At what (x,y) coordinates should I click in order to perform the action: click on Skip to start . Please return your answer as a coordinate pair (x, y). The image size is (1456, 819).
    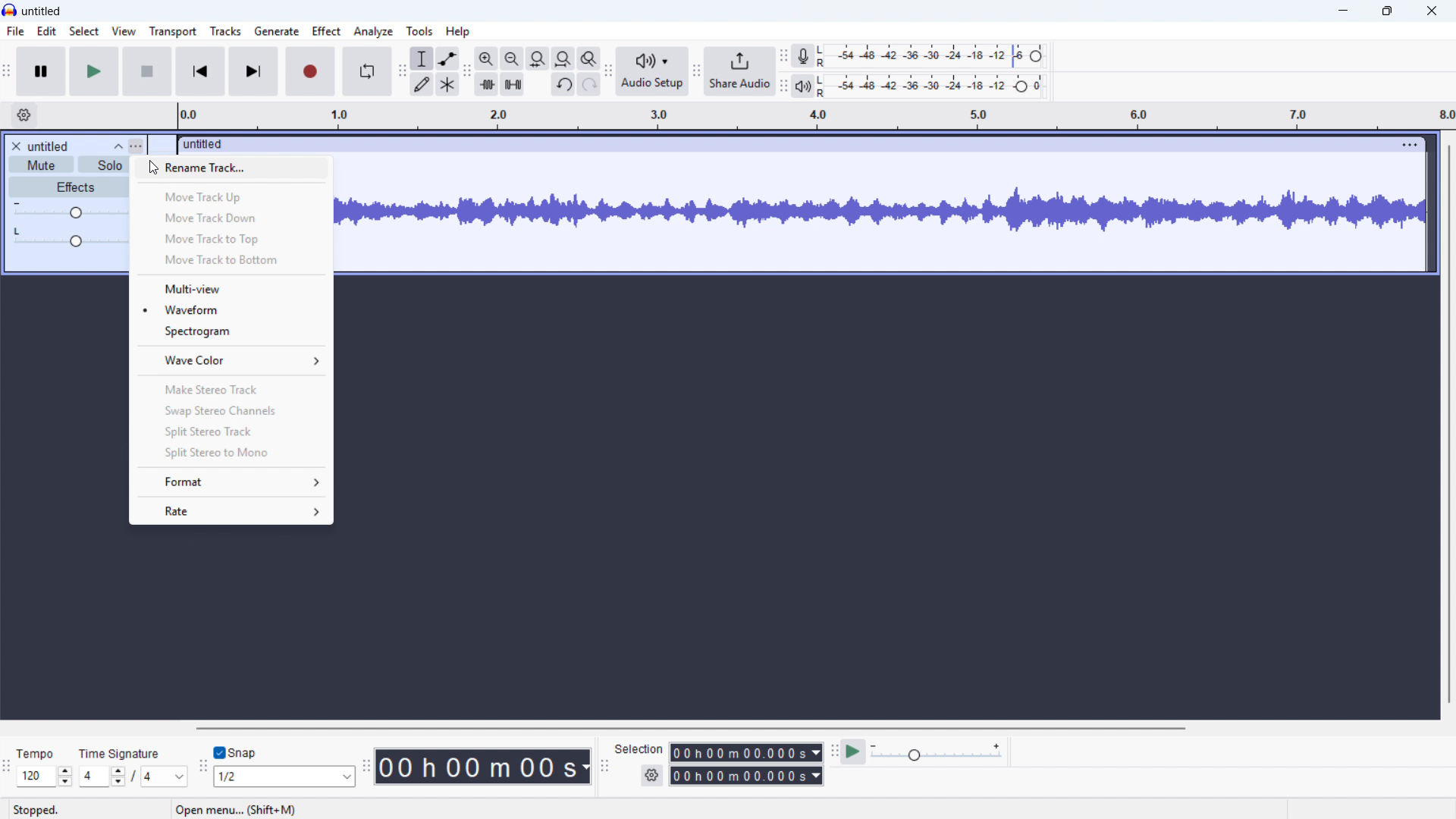
    Looking at the image, I should click on (199, 72).